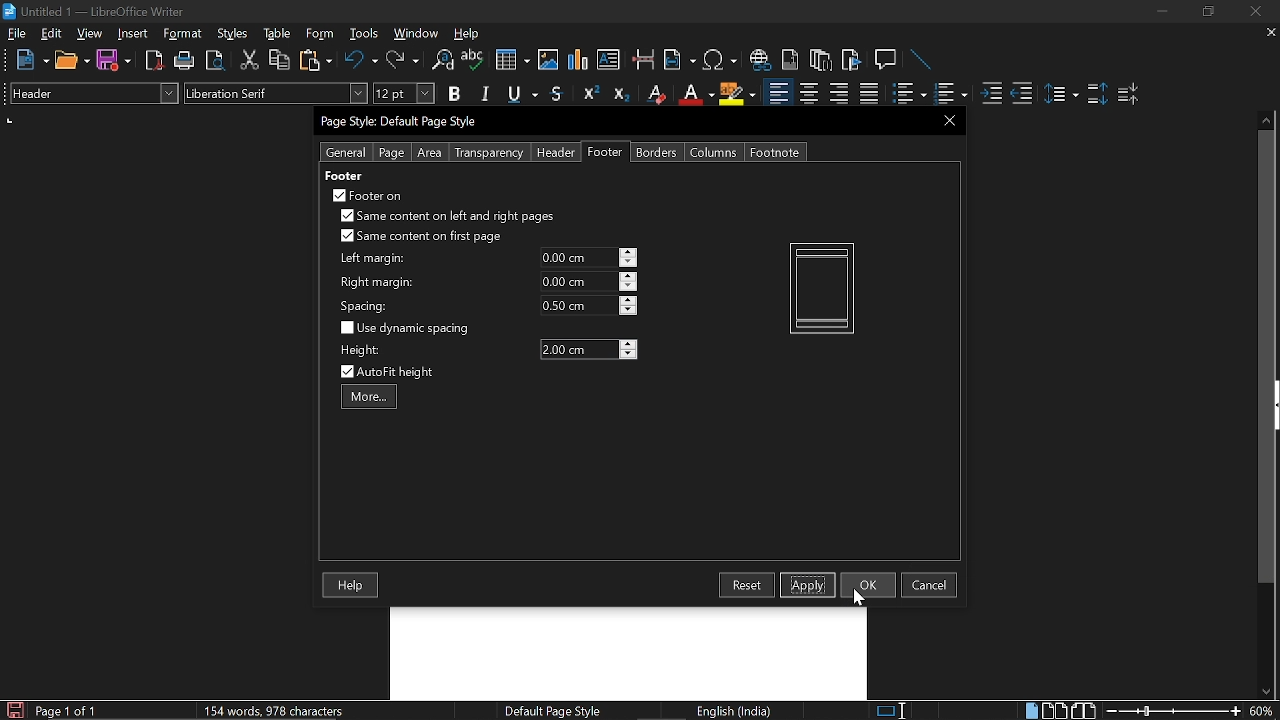 This screenshot has width=1280, height=720. What do you see at coordinates (578, 305) in the screenshot?
I see `current spacing` at bounding box center [578, 305].